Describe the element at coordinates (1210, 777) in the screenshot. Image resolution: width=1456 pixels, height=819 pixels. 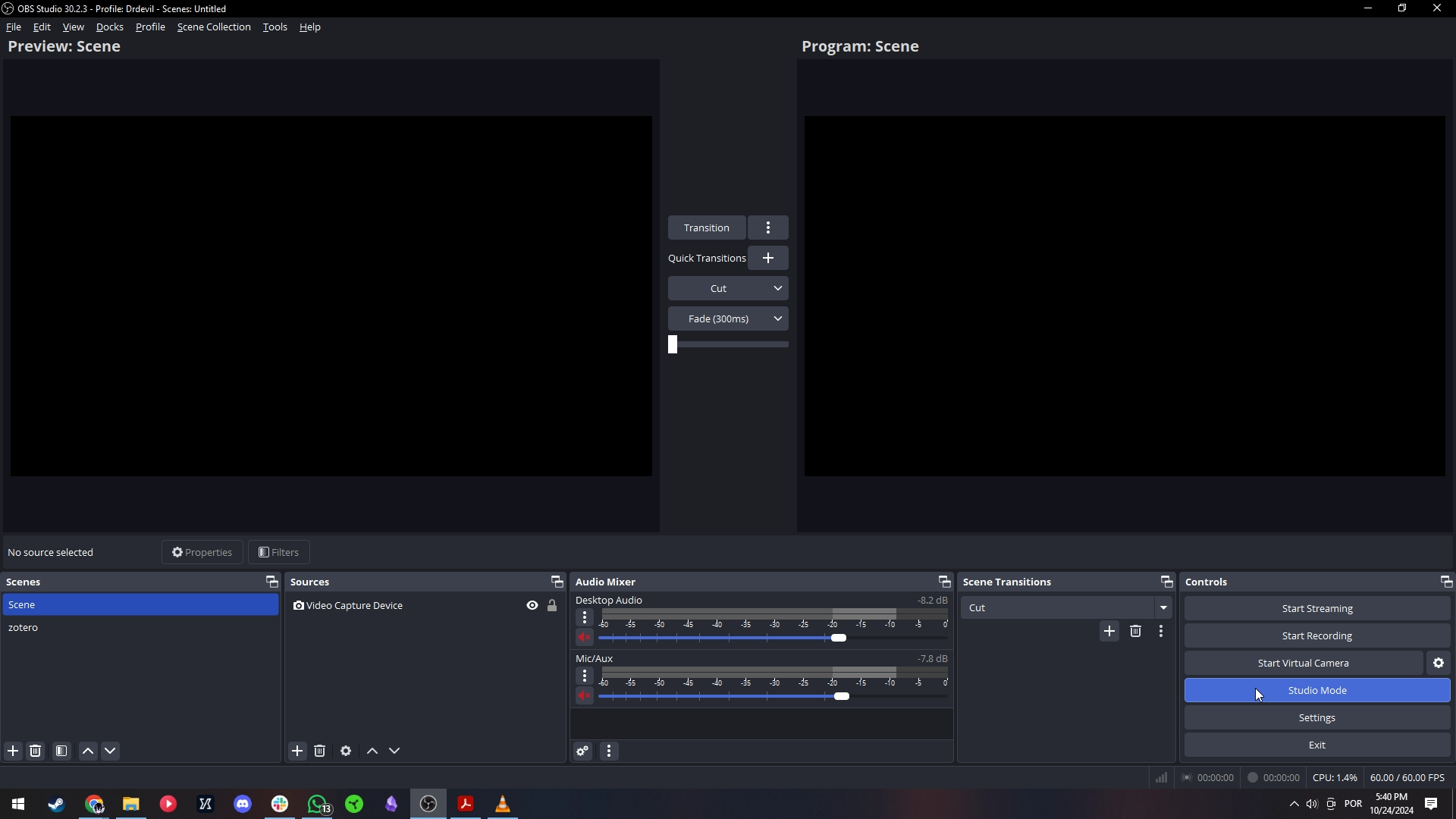
I see `Streaming runtime` at that location.